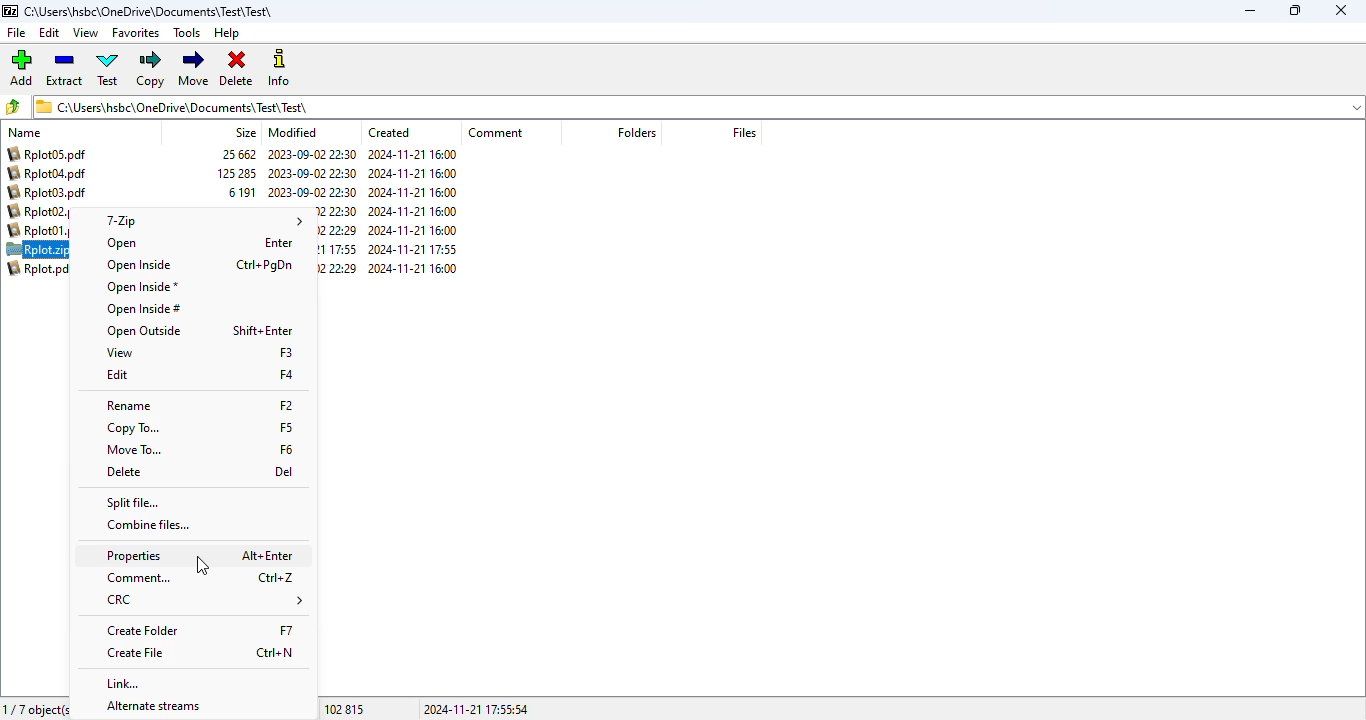  I want to click on name, so click(24, 133).